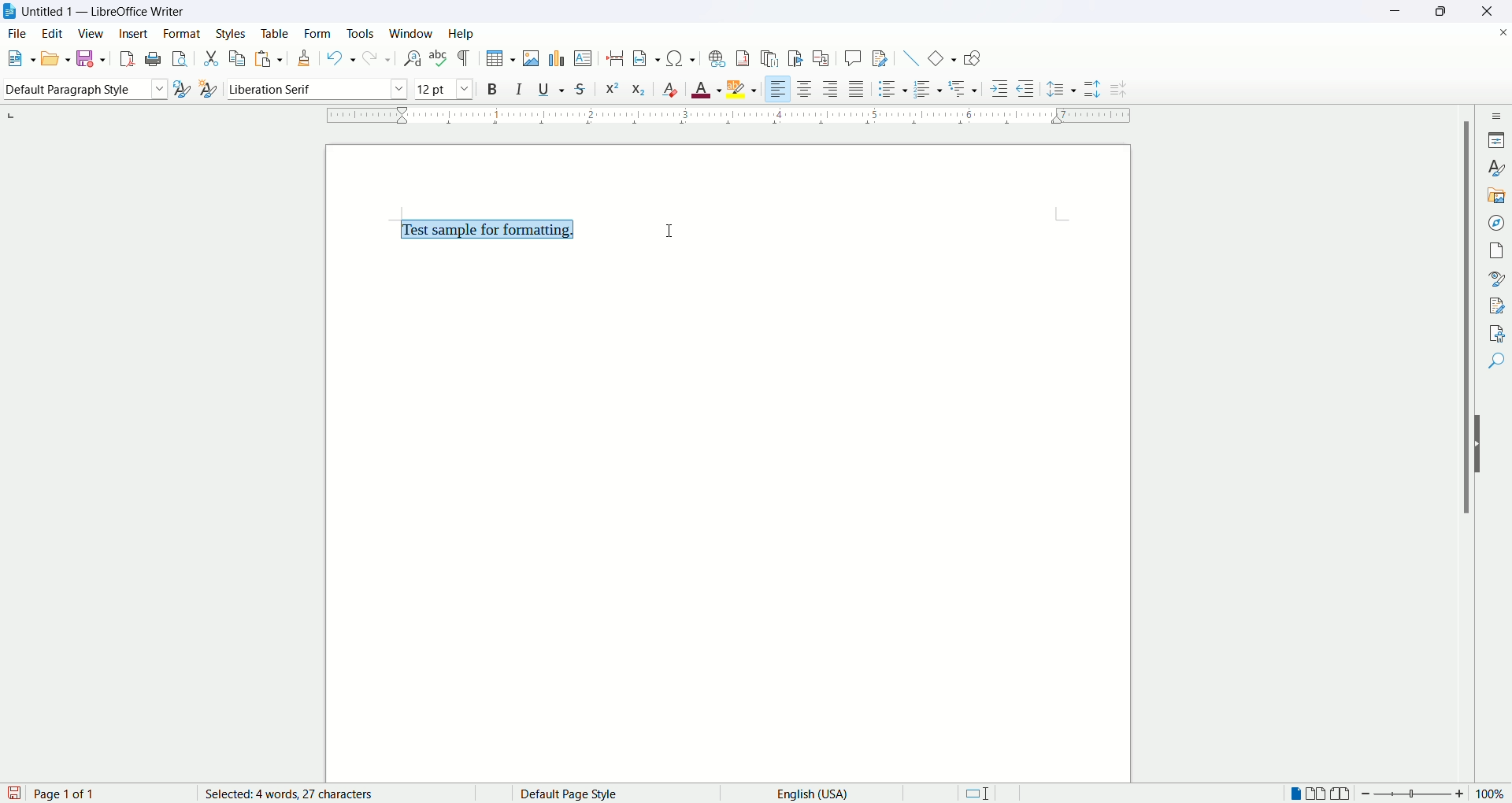 This screenshot has height=803, width=1512. I want to click on insert comment, so click(853, 59).